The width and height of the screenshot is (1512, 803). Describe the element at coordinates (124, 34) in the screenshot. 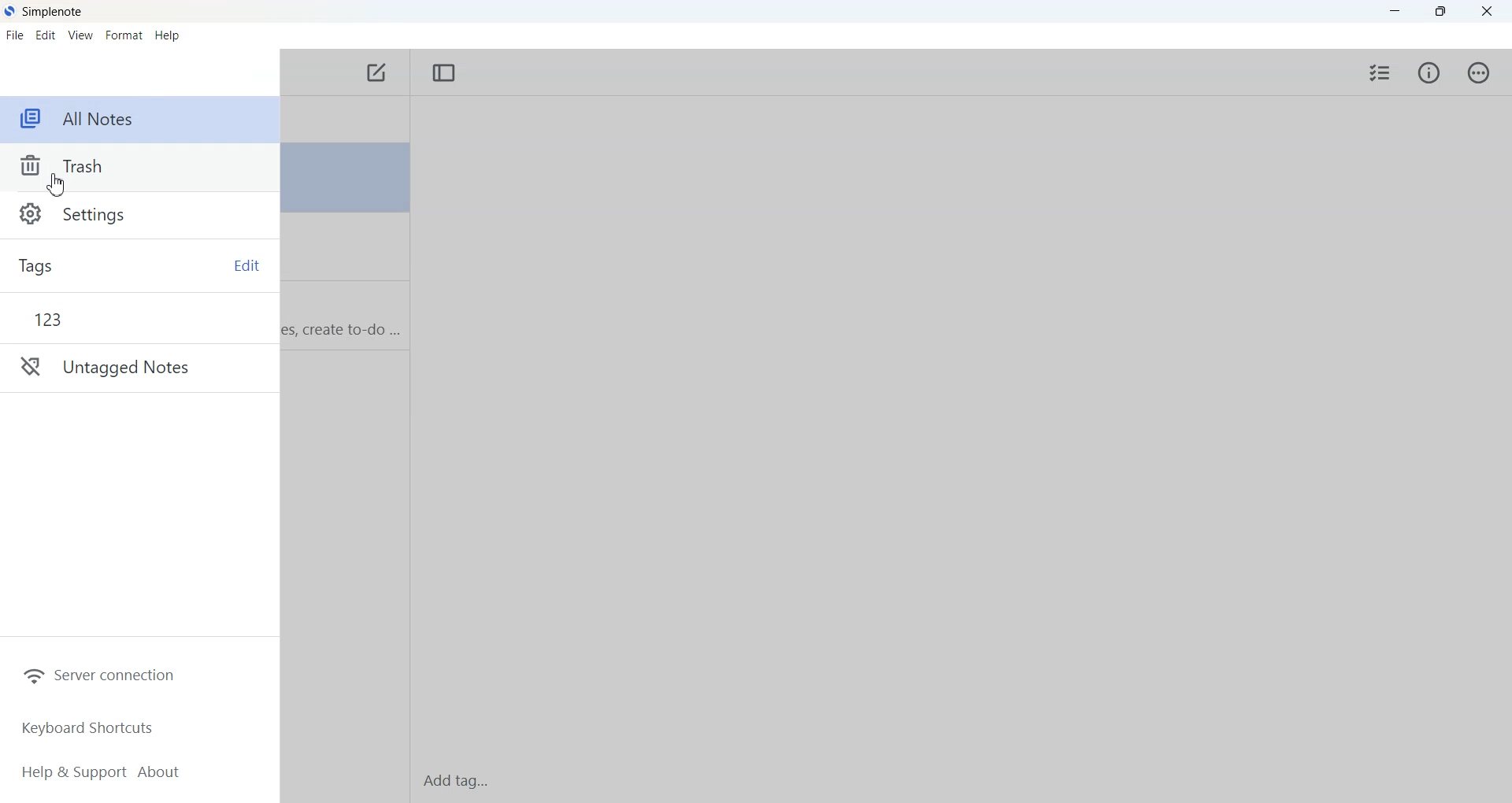

I see `Format` at that location.